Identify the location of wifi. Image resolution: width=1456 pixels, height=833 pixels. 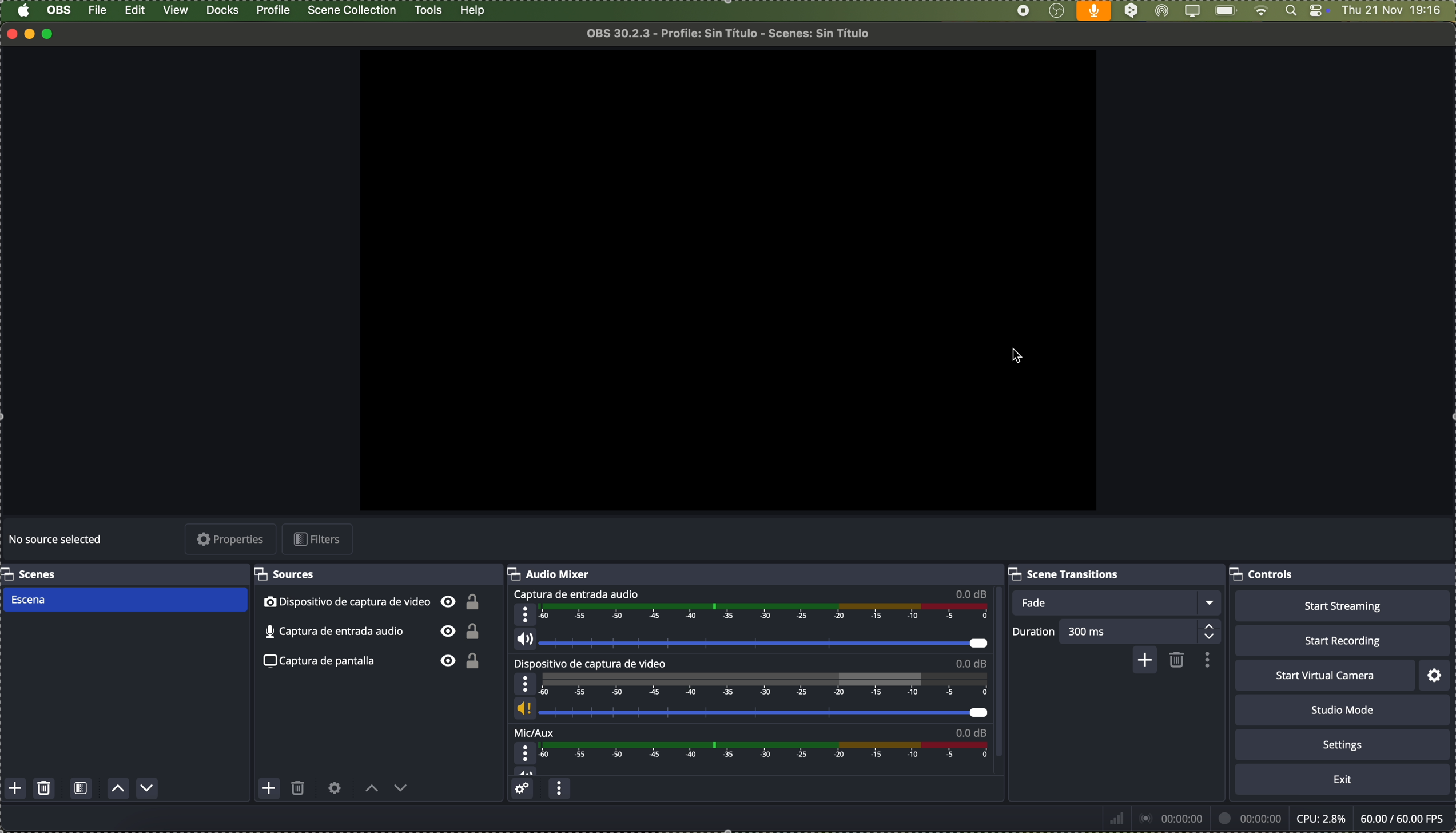
(1261, 11).